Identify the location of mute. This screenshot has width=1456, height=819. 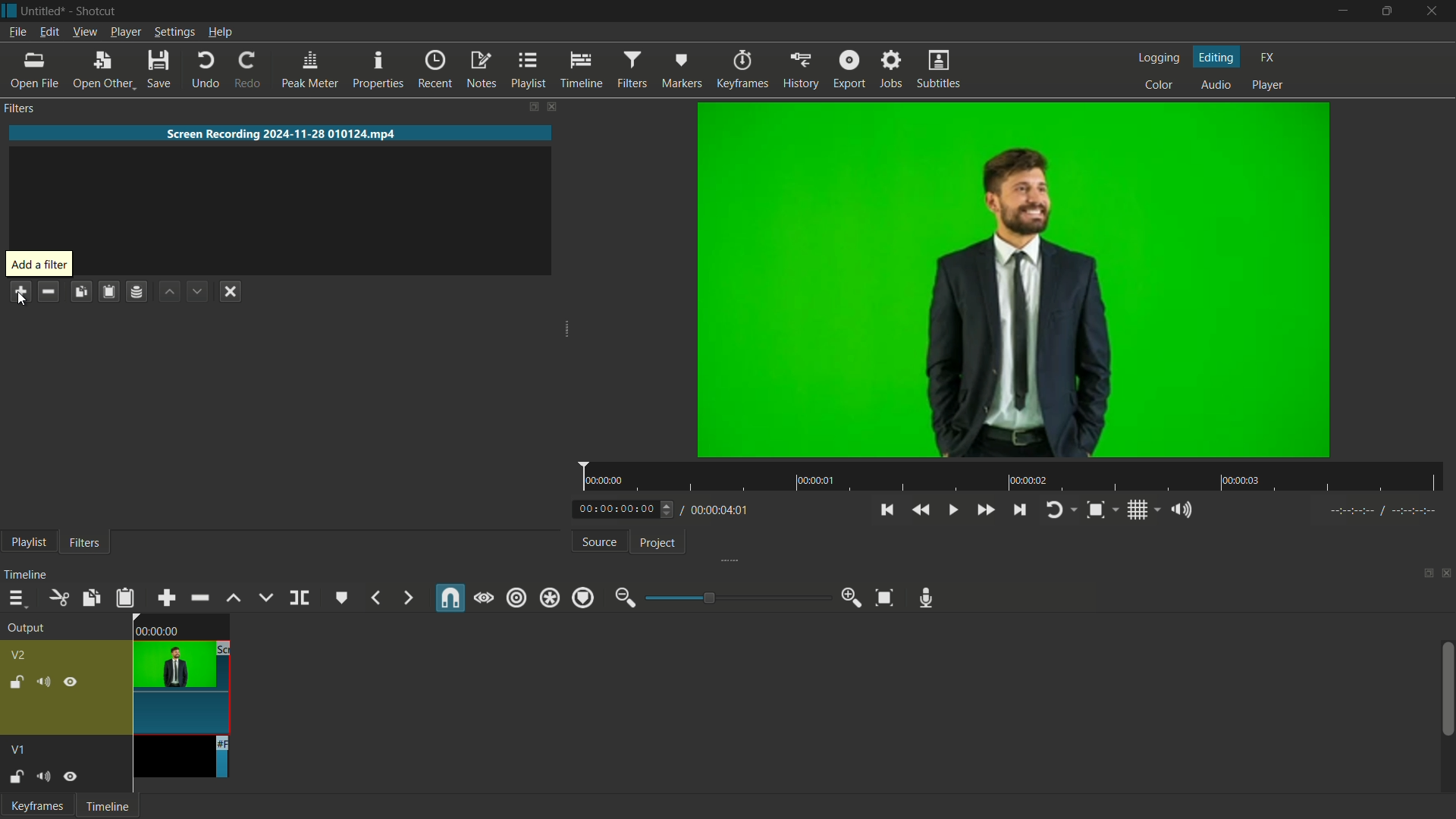
(42, 776).